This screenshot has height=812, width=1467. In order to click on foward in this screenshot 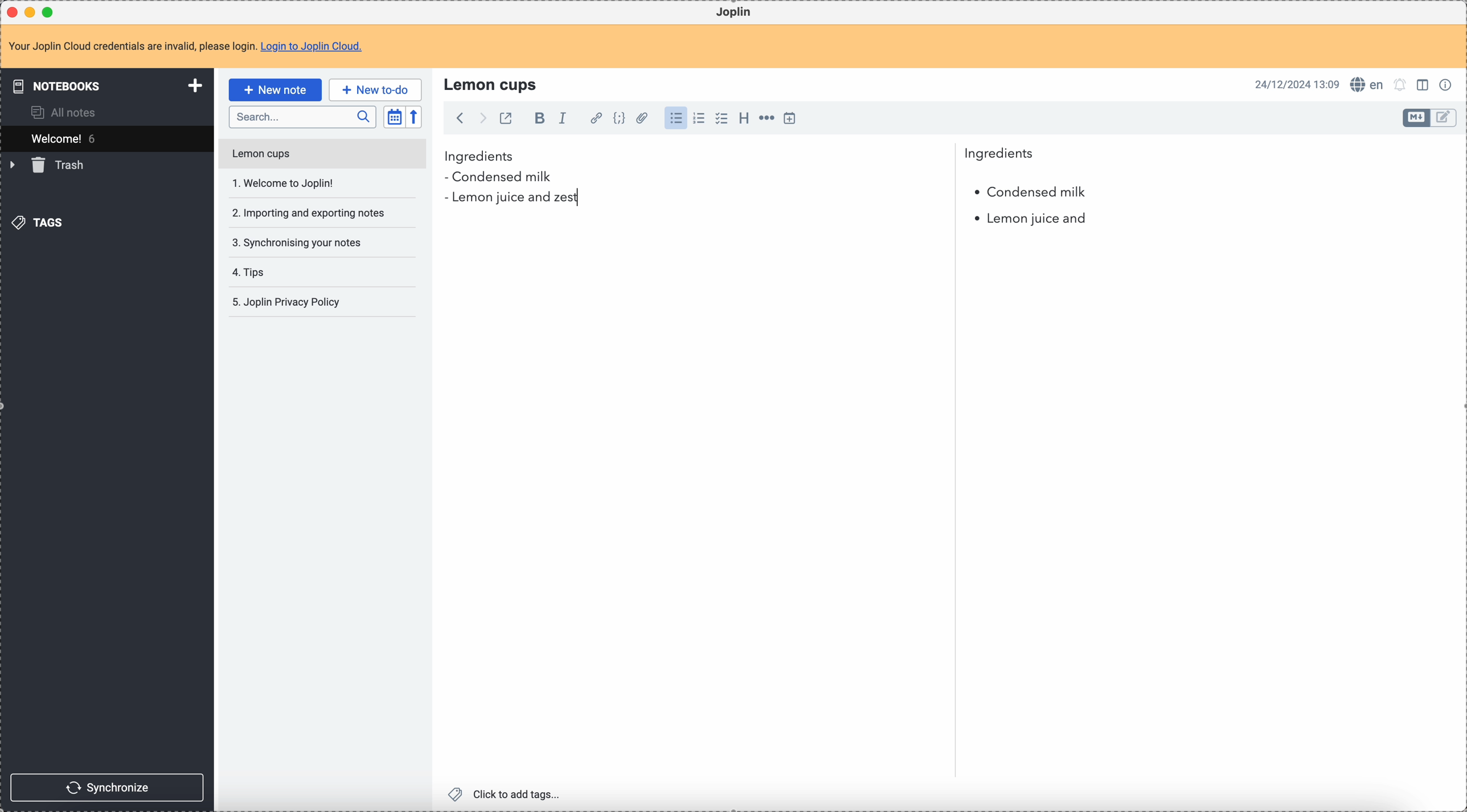, I will do `click(481, 118)`.